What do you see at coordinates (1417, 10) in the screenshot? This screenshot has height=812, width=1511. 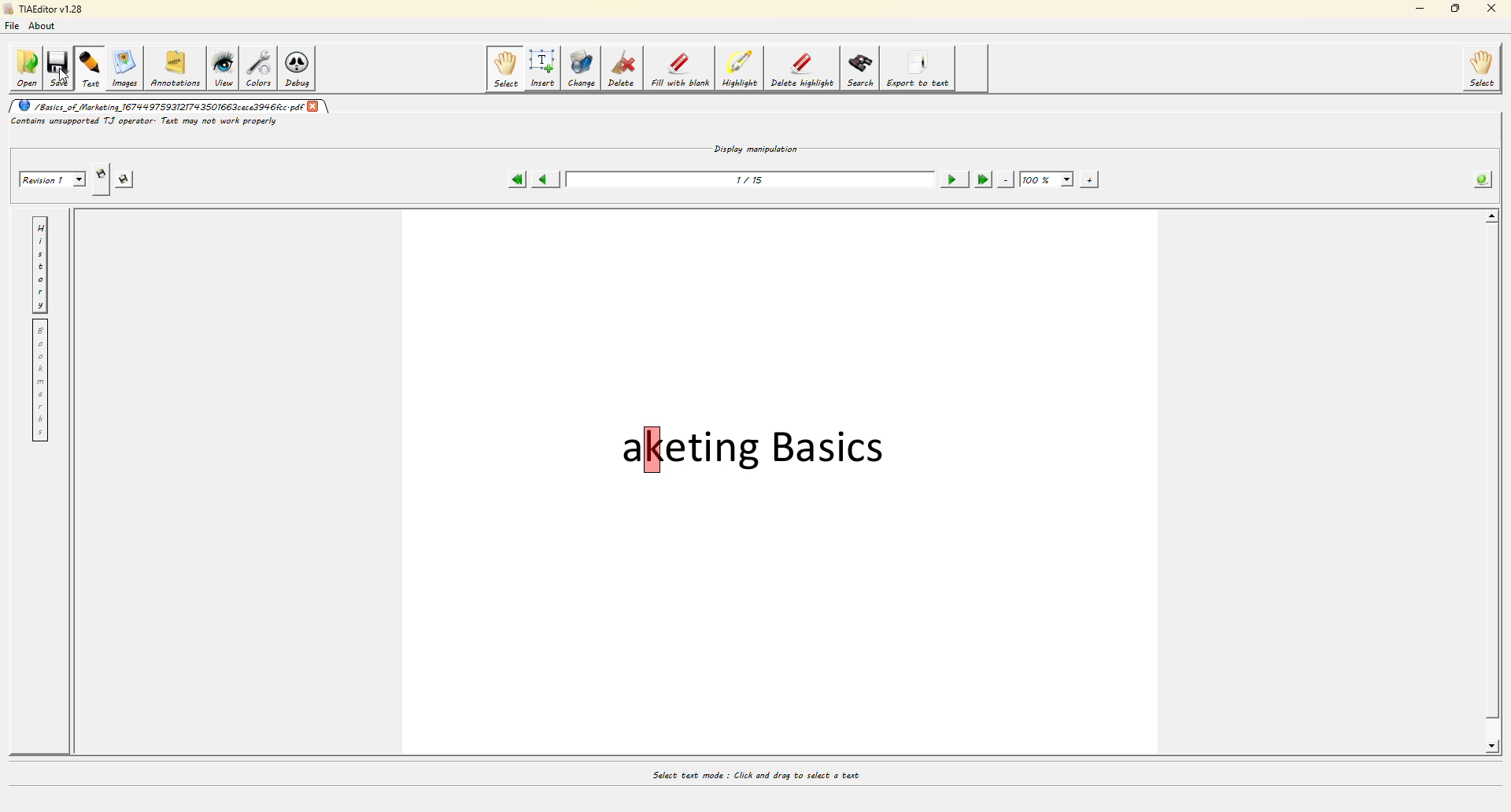 I see `minimize` at bounding box center [1417, 10].